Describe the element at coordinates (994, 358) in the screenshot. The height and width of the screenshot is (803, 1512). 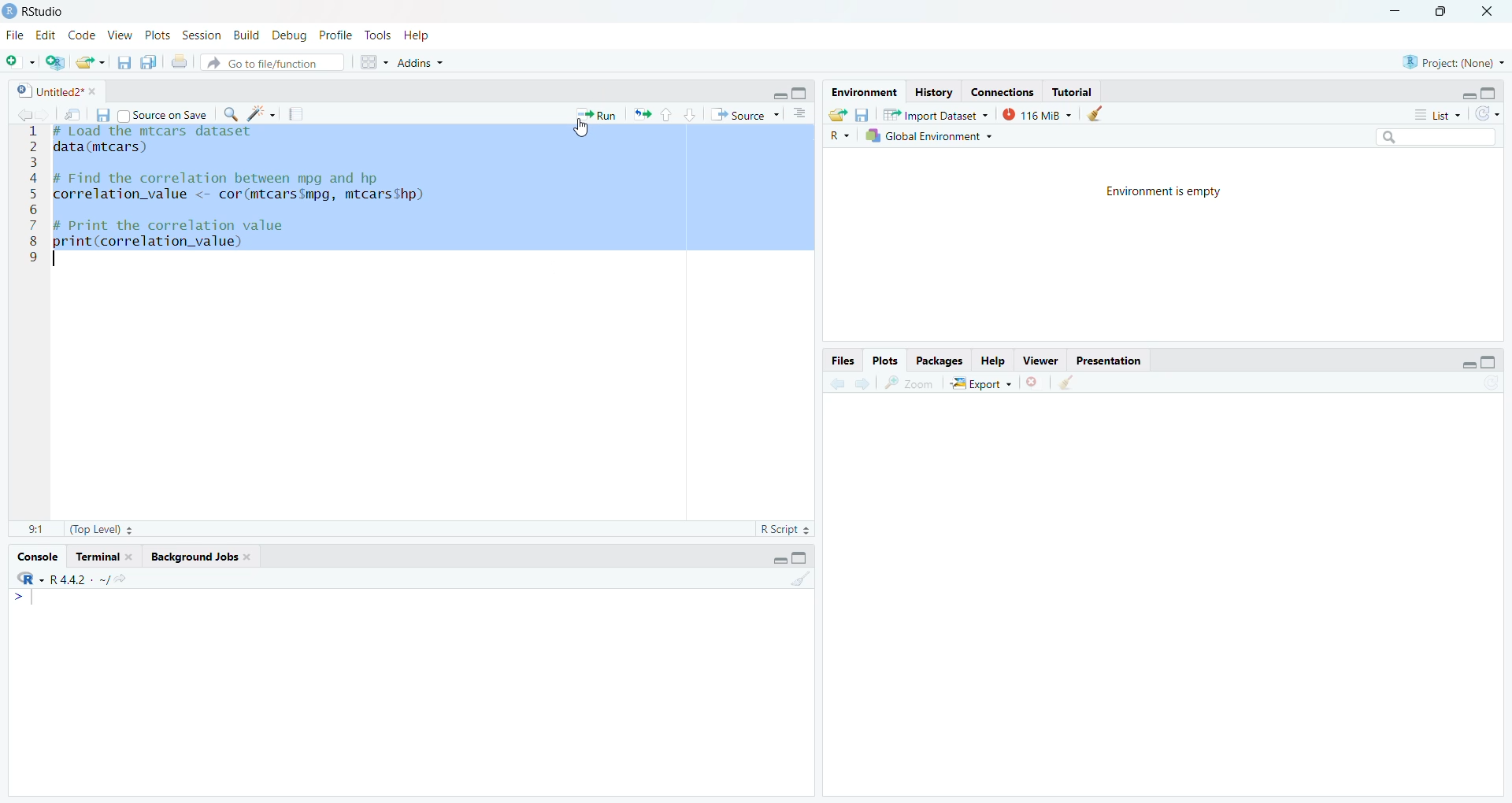
I see `Help` at that location.